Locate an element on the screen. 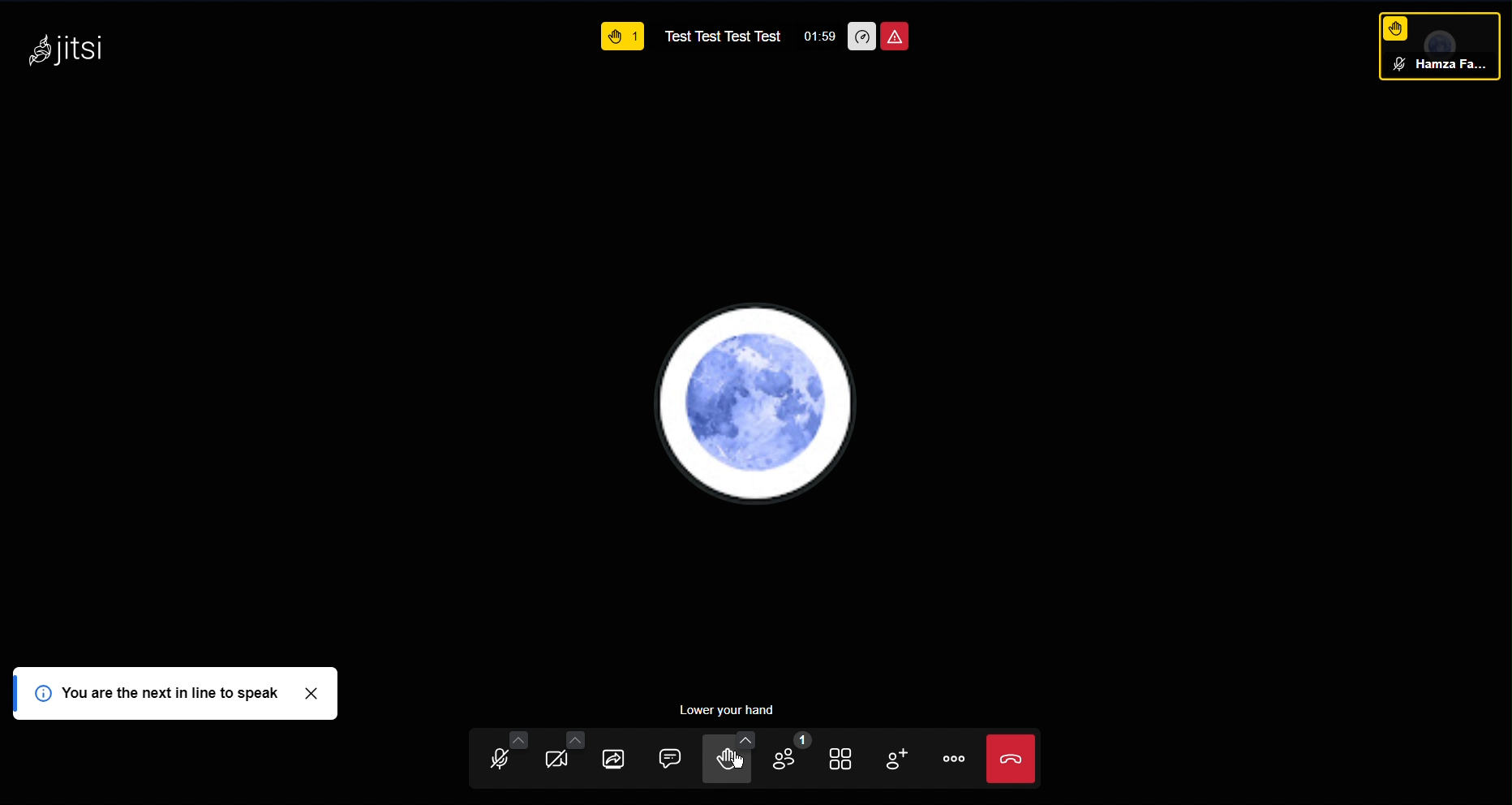 This screenshot has width=1512, height=805. Room is unsafe is located at coordinates (896, 36).